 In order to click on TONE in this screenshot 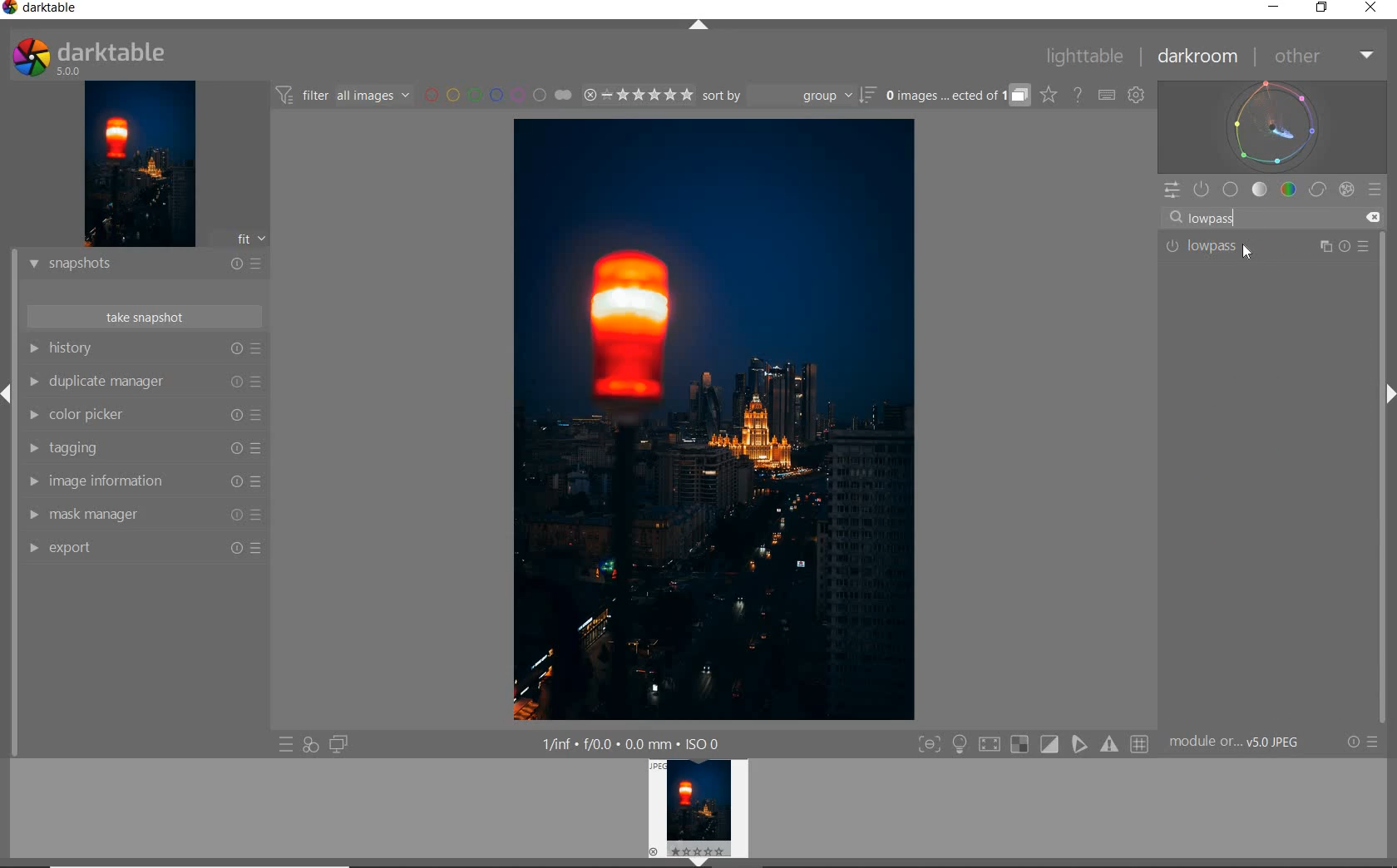, I will do `click(1260, 190)`.